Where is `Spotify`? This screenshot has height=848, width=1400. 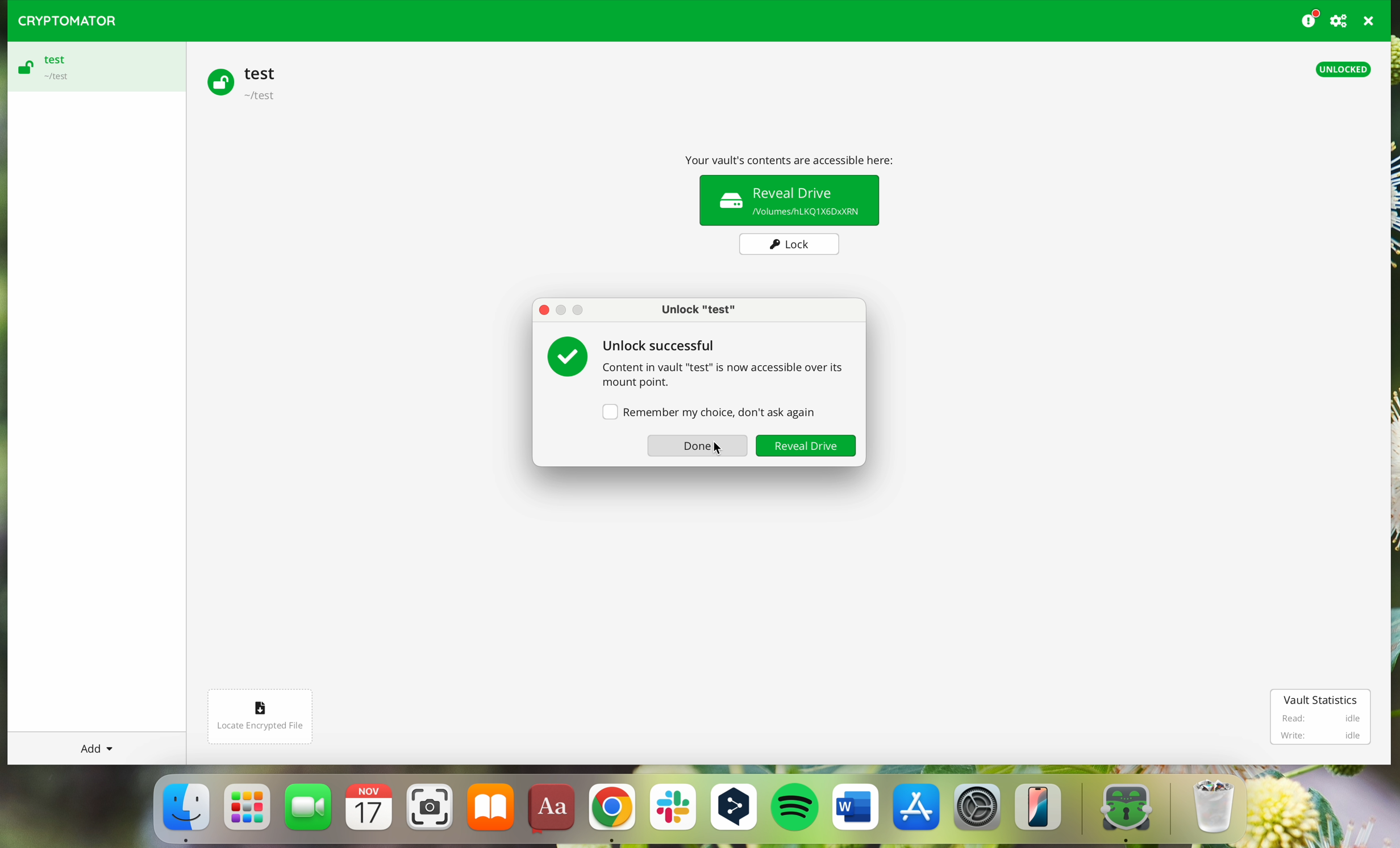 Spotify is located at coordinates (797, 809).